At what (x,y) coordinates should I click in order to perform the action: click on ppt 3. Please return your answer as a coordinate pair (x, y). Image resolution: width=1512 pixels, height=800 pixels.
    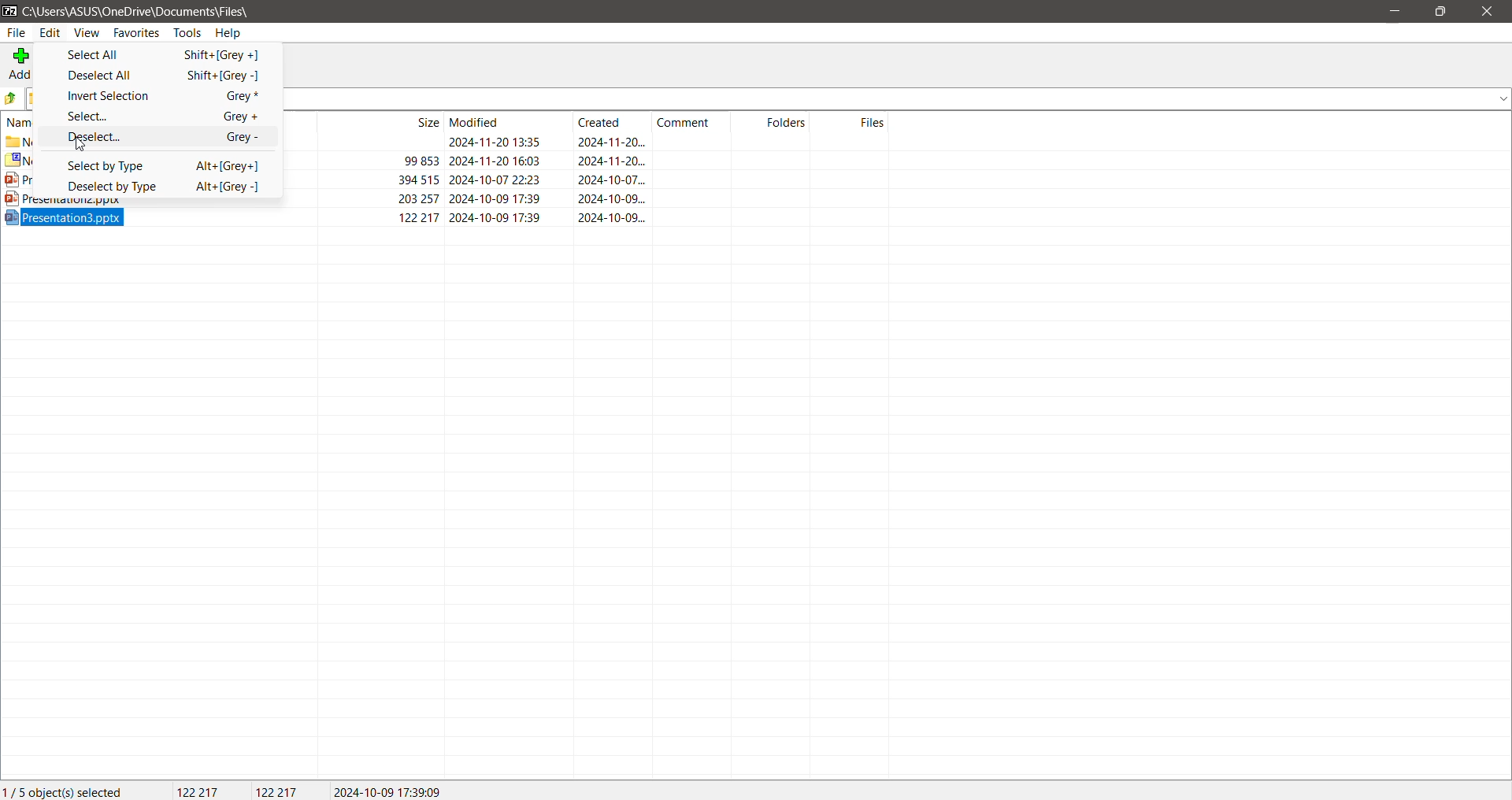
    Looking at the image, I should click on (445, 217).